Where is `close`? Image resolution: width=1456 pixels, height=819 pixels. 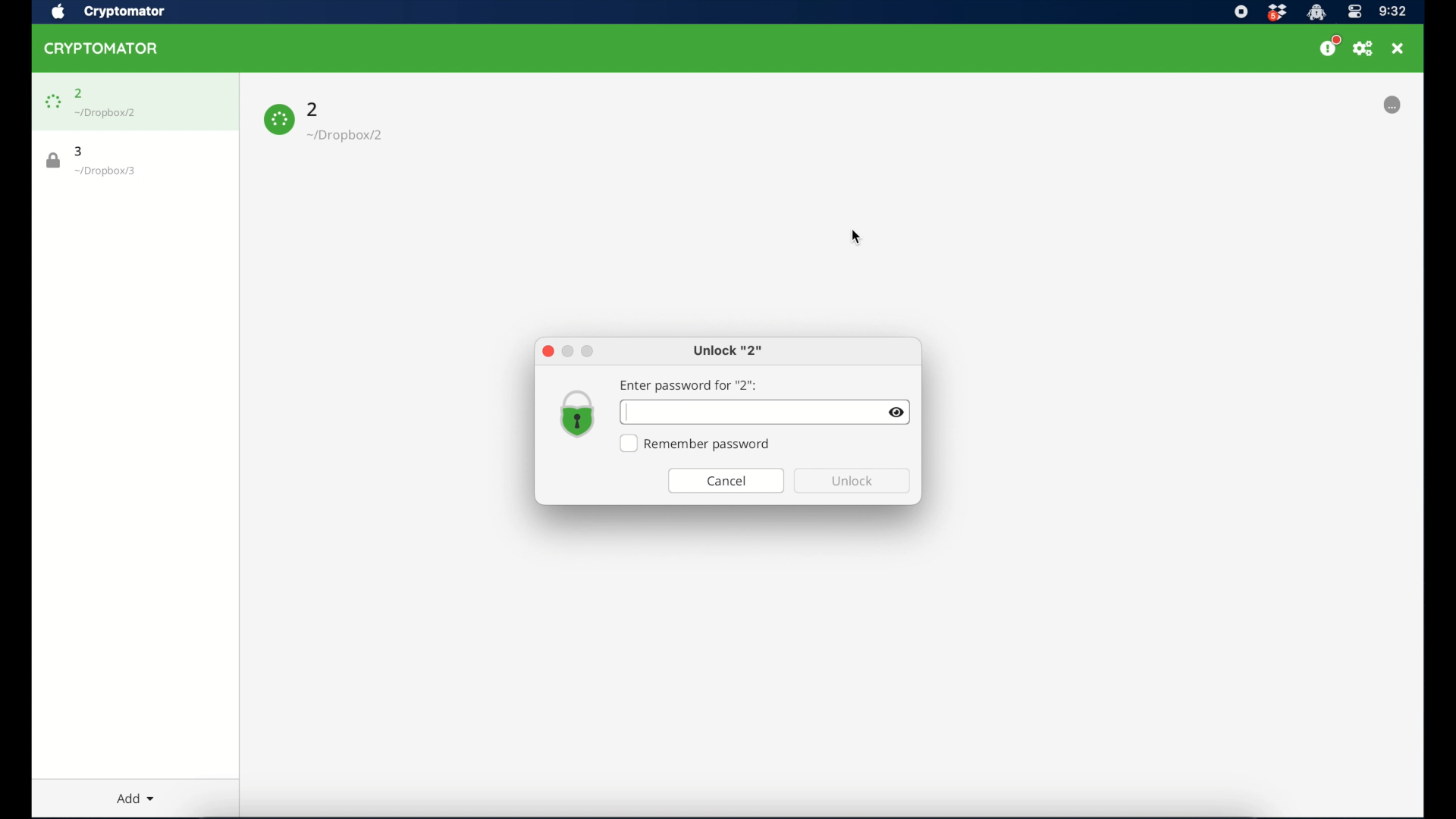 close is located at coordinates (548, 352).